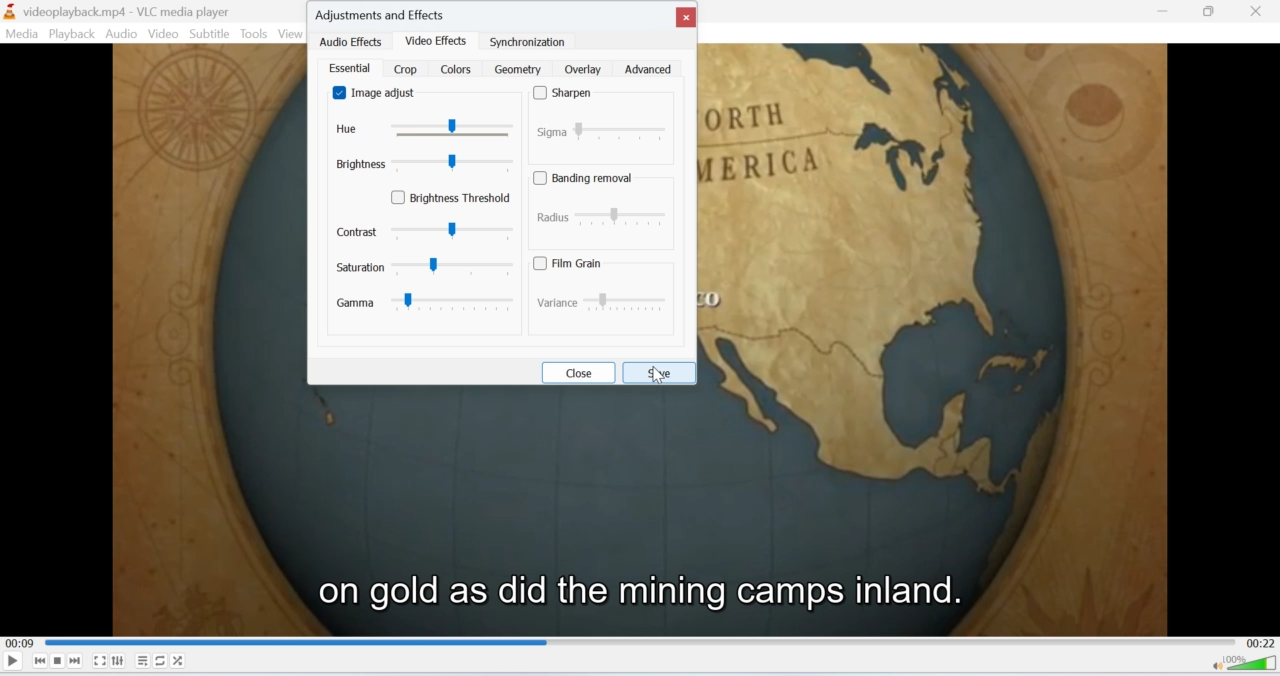 The height and width of the screenshot is (676, 1280). What do you see at coordinates (1262, 10) in the screenshot?
I see `Close` at bounding box center [1262, 10].